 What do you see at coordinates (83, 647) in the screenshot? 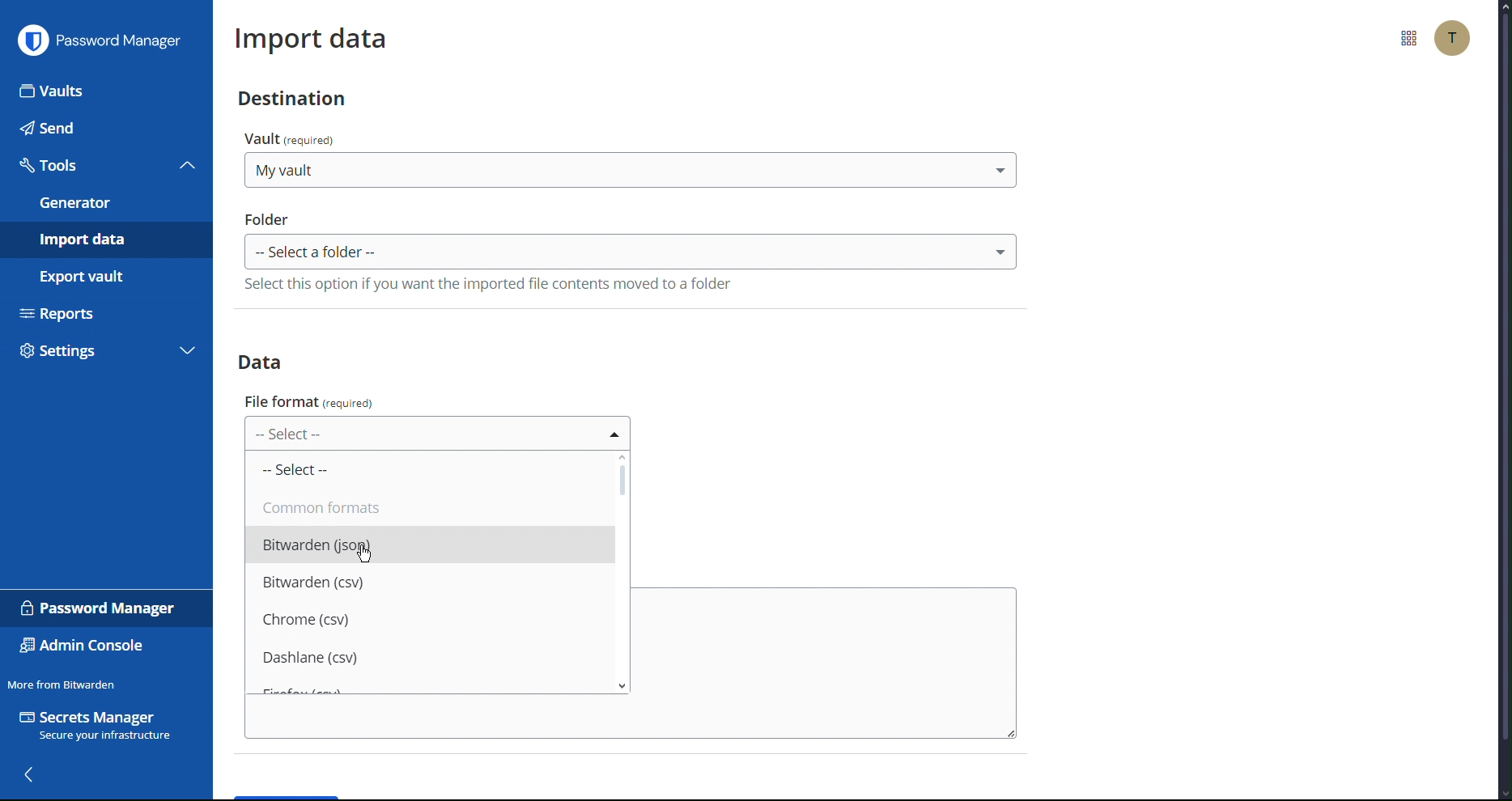
I see `Admin Console` at bounding box center [83, 647].